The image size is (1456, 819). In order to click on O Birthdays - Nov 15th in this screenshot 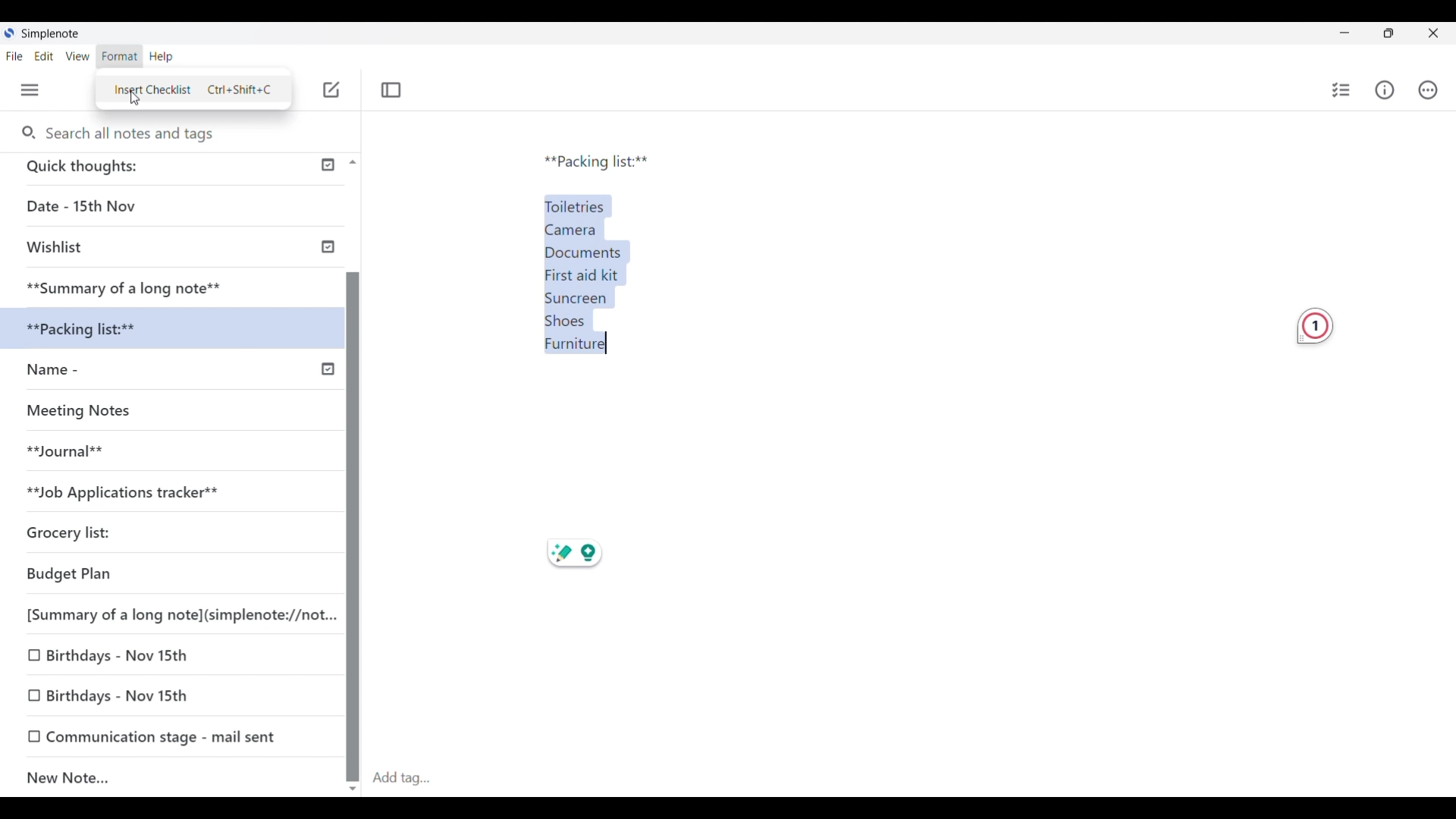, I will do `click(115, 654)`.